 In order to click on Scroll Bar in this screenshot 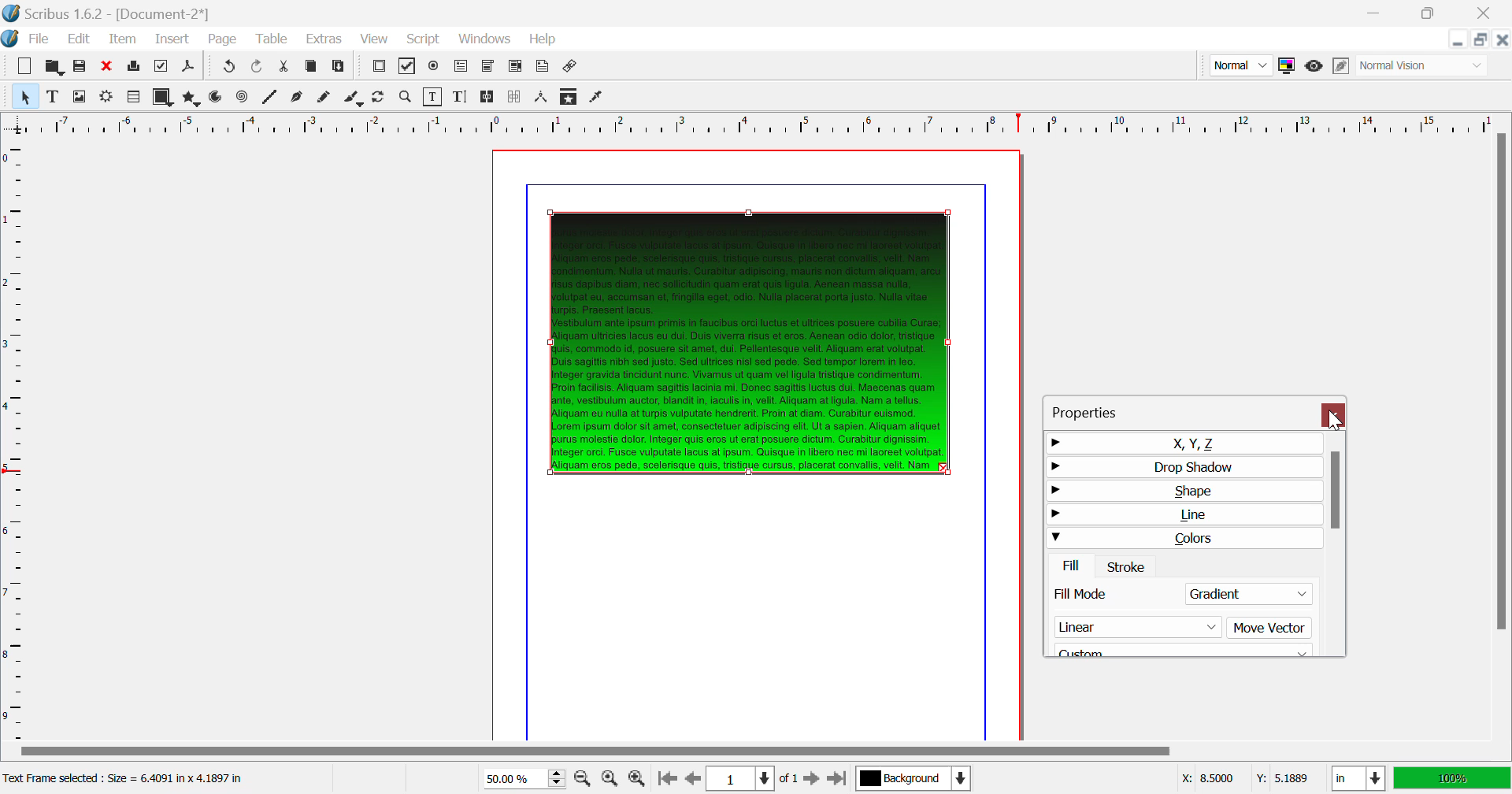, I will do `click(755, 752)`.